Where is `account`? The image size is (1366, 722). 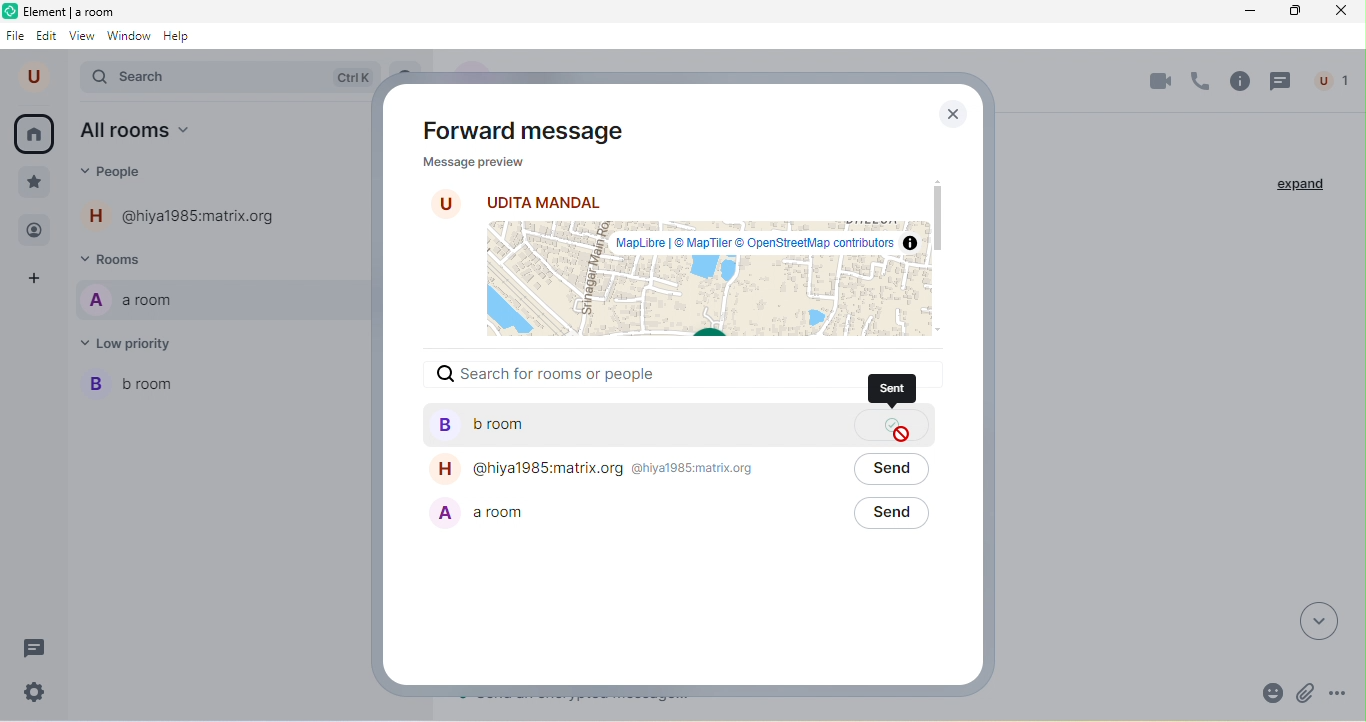 account is located at coordinates (38, 76).